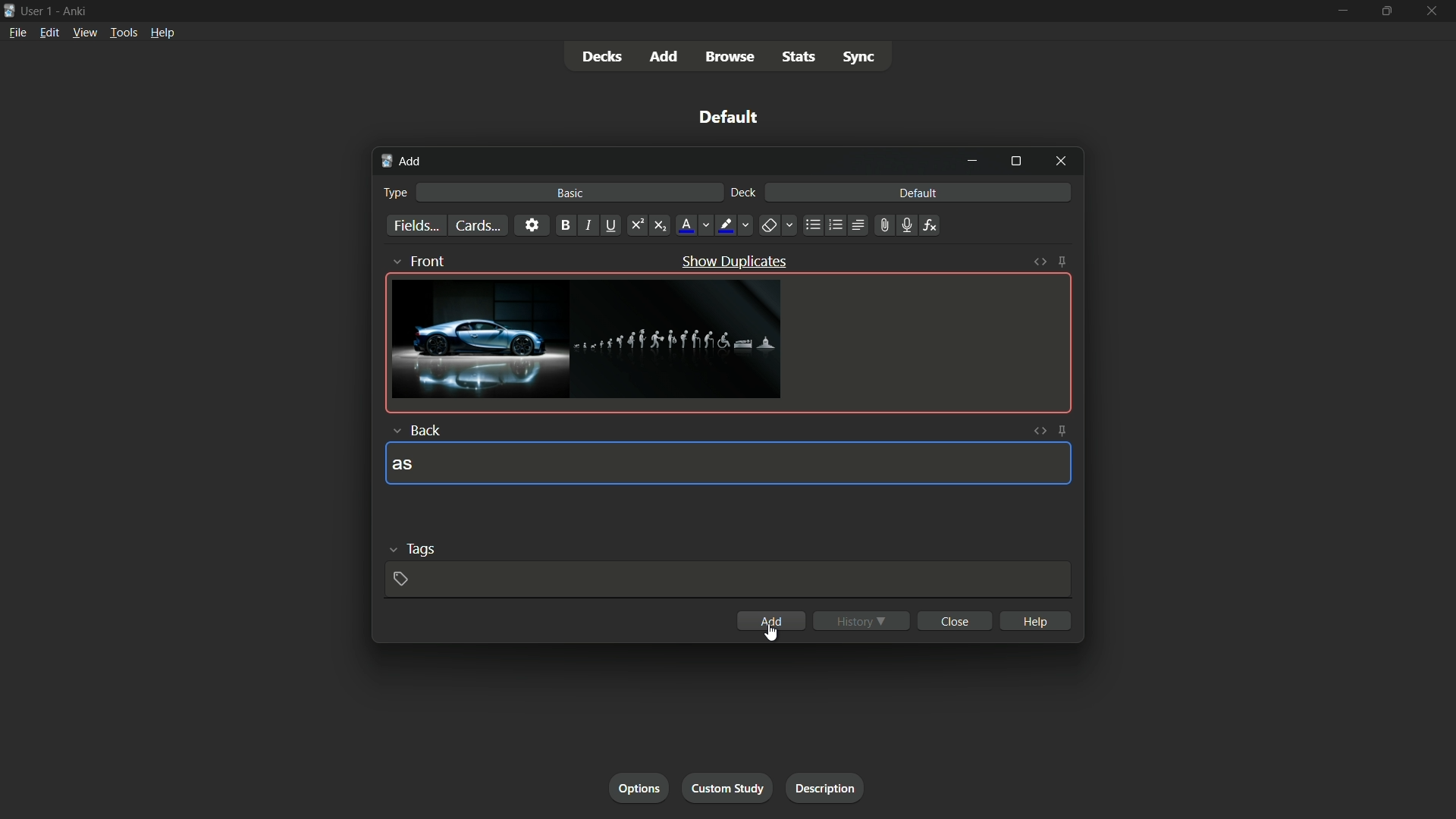 This screenshot has height=819, width=1456. Describe the element at coordinates (602, 58) in the screenshot. I see `decks` at that location.